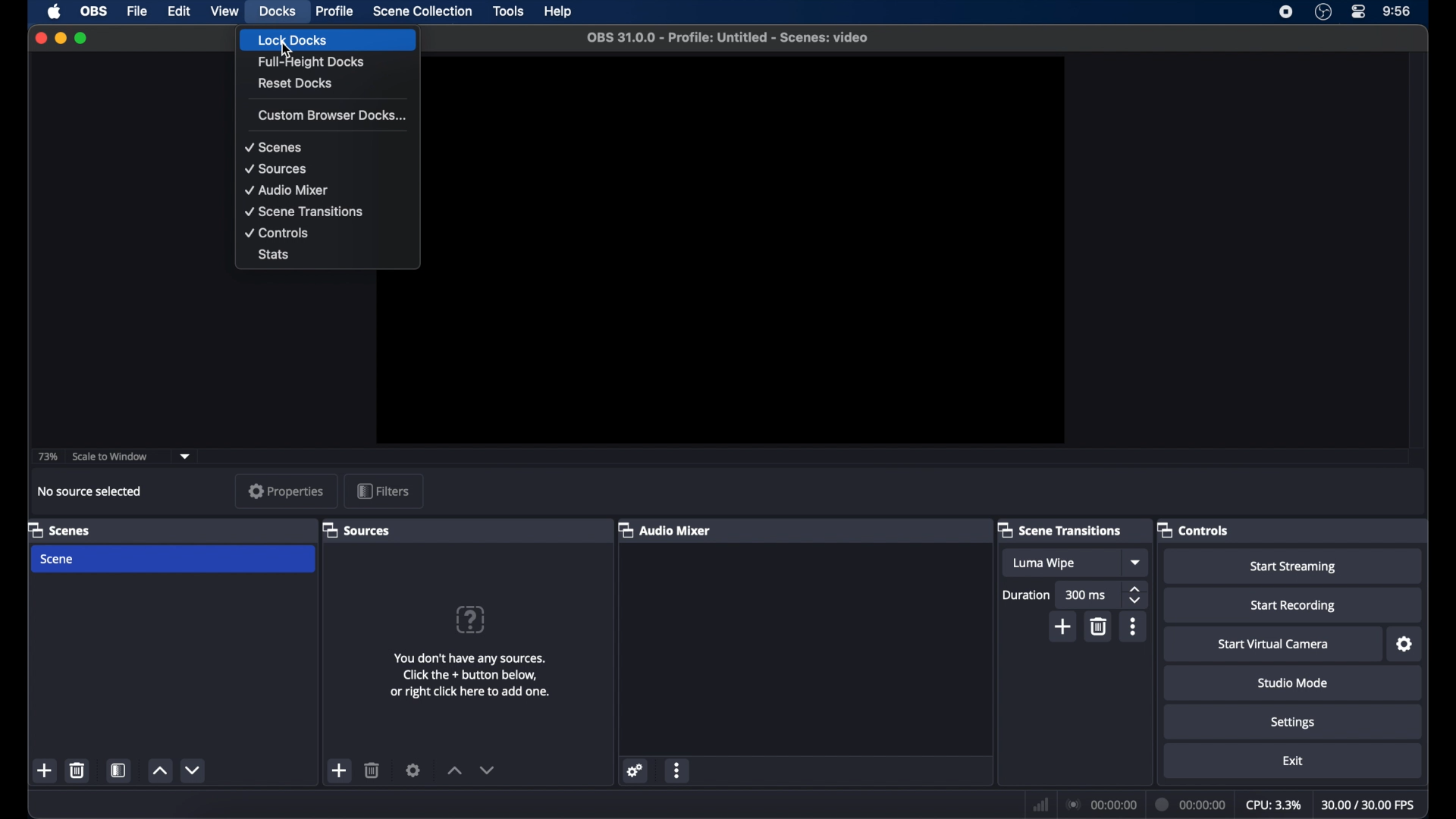 This screenshot has height=819, width=1456. I want to click on delete, so click(372, 770).